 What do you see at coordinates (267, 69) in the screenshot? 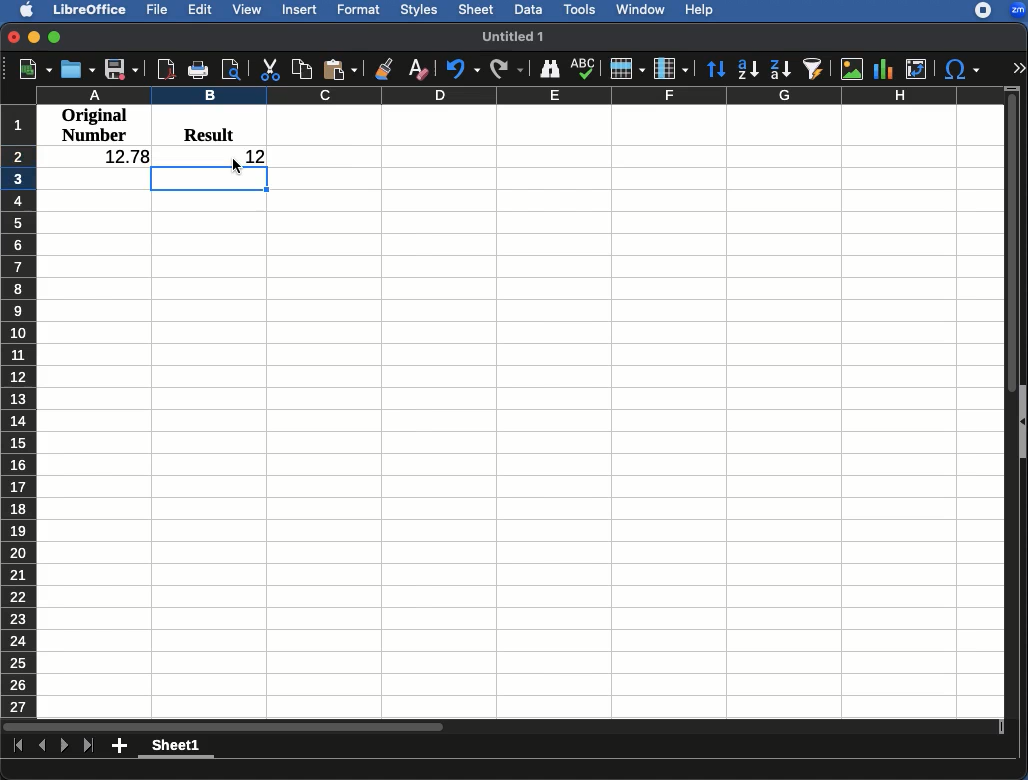
I see `Cut` at bounding box center [267, 69].